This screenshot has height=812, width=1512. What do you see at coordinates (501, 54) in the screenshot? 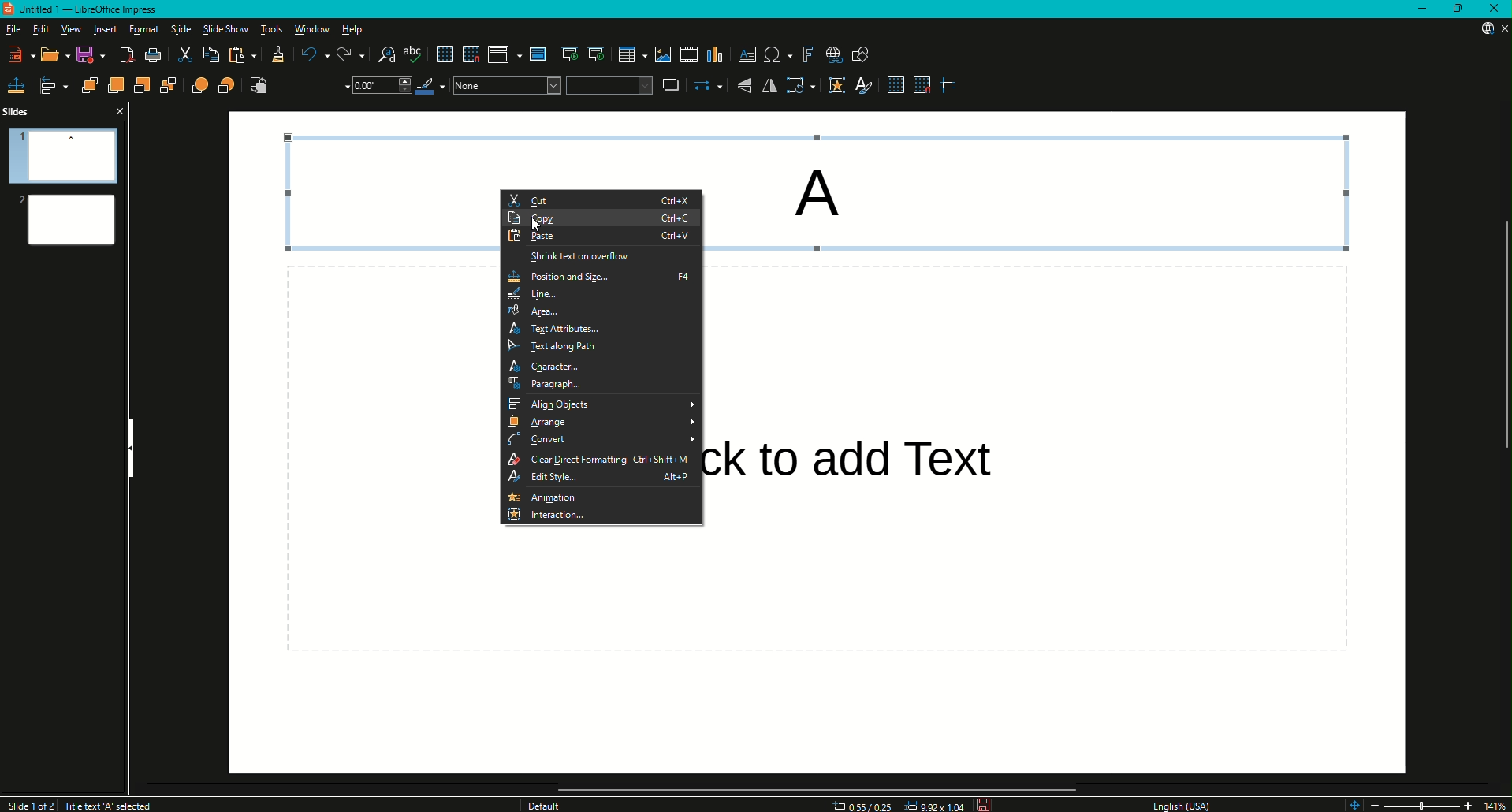
I see `Display views` at bounding box center [501, 54].